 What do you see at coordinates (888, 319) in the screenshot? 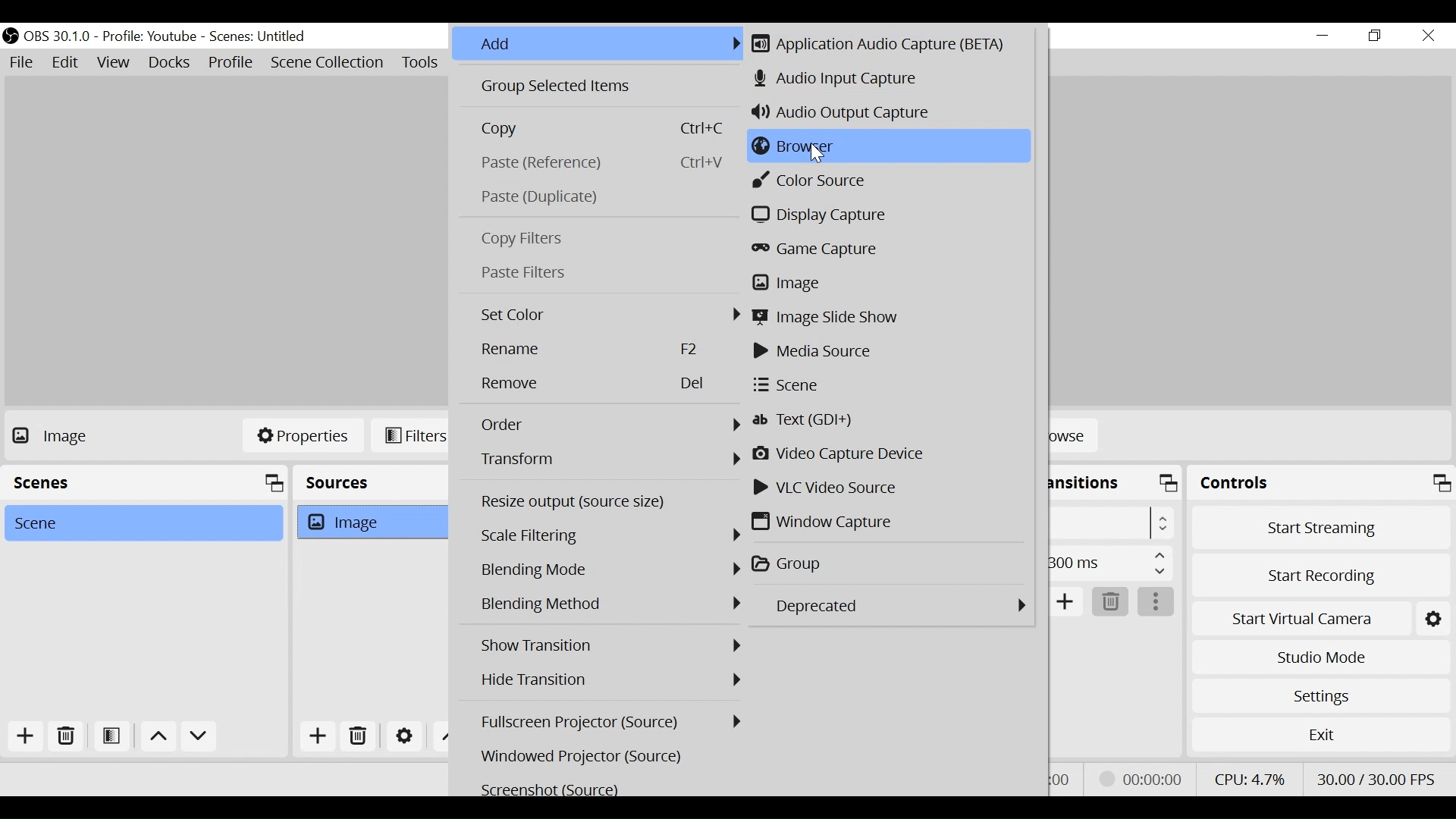
I see `Image Slide Show` at bounding box center [888, 319].